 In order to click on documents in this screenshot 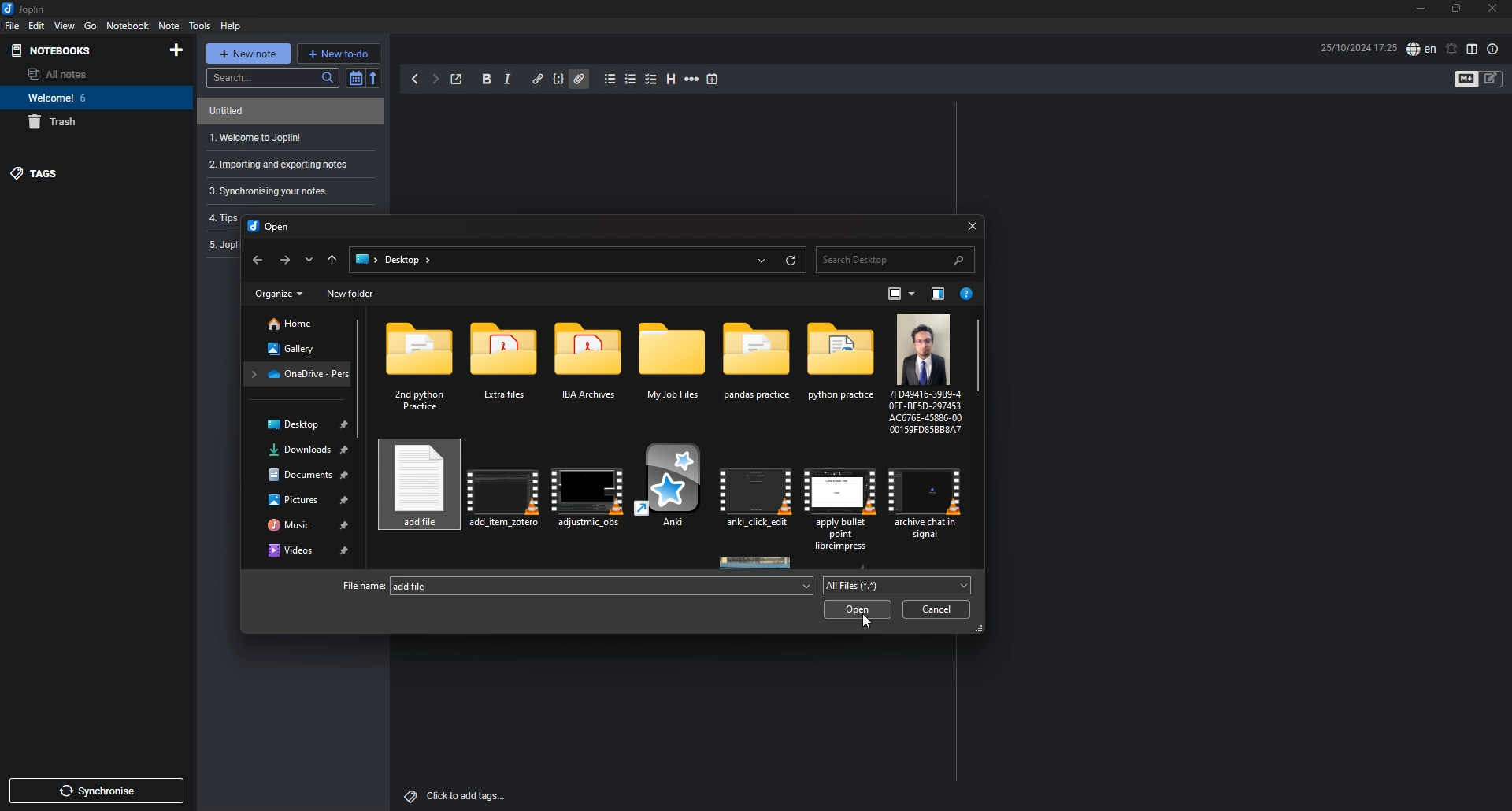, I will do `click(301, 476)`.